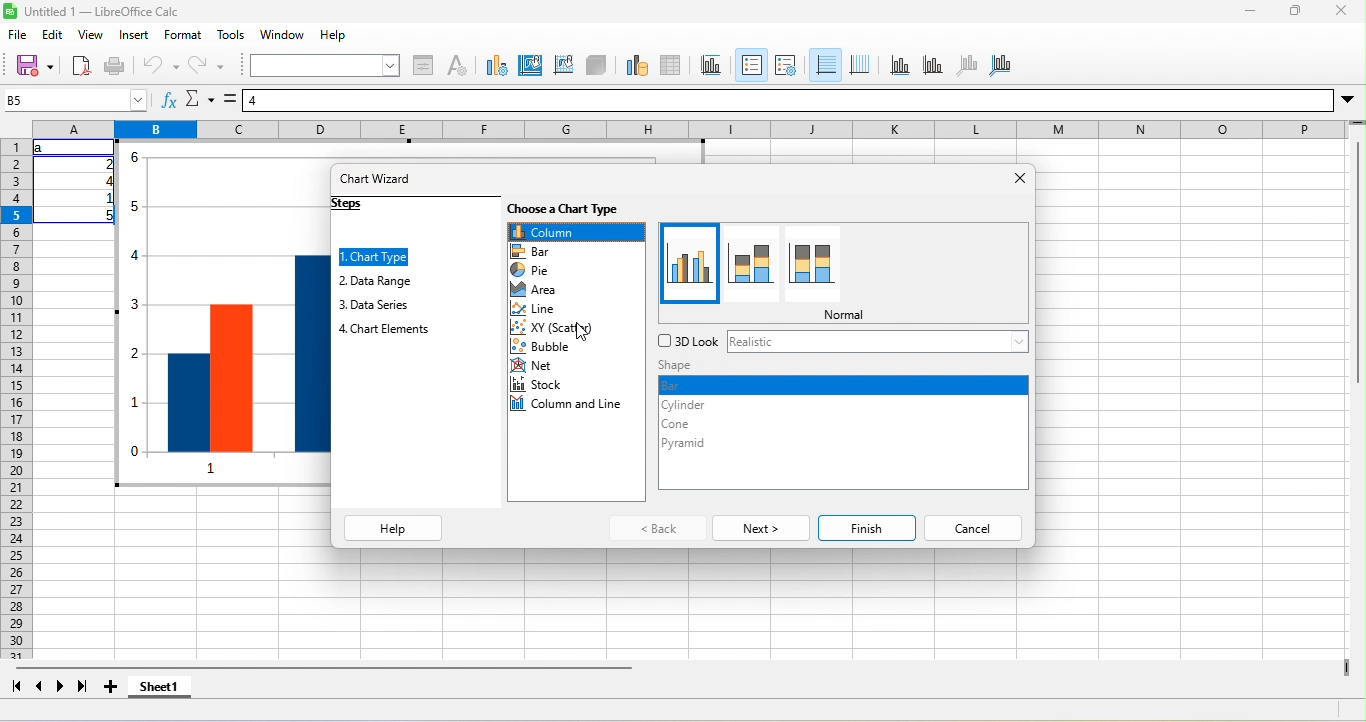 Image resolution: width=1366 pixels, height=722 pixels. I want to click on formula bar, so click(788, 100).